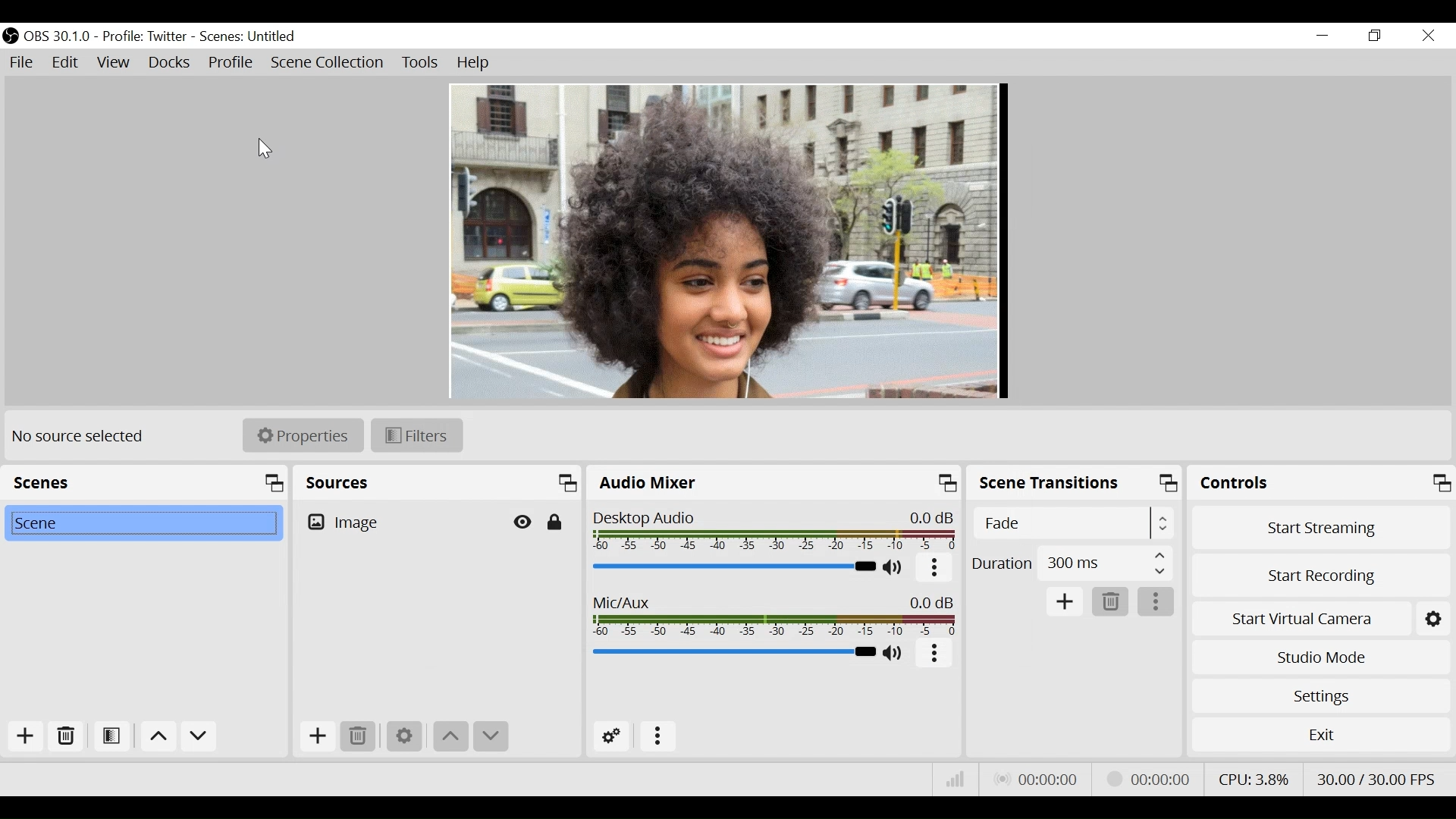 The height and width of the screenshot is (819, 1456). Describe the element at coordinates (403, 737) in the screenshot. I see `Settings` at that location.